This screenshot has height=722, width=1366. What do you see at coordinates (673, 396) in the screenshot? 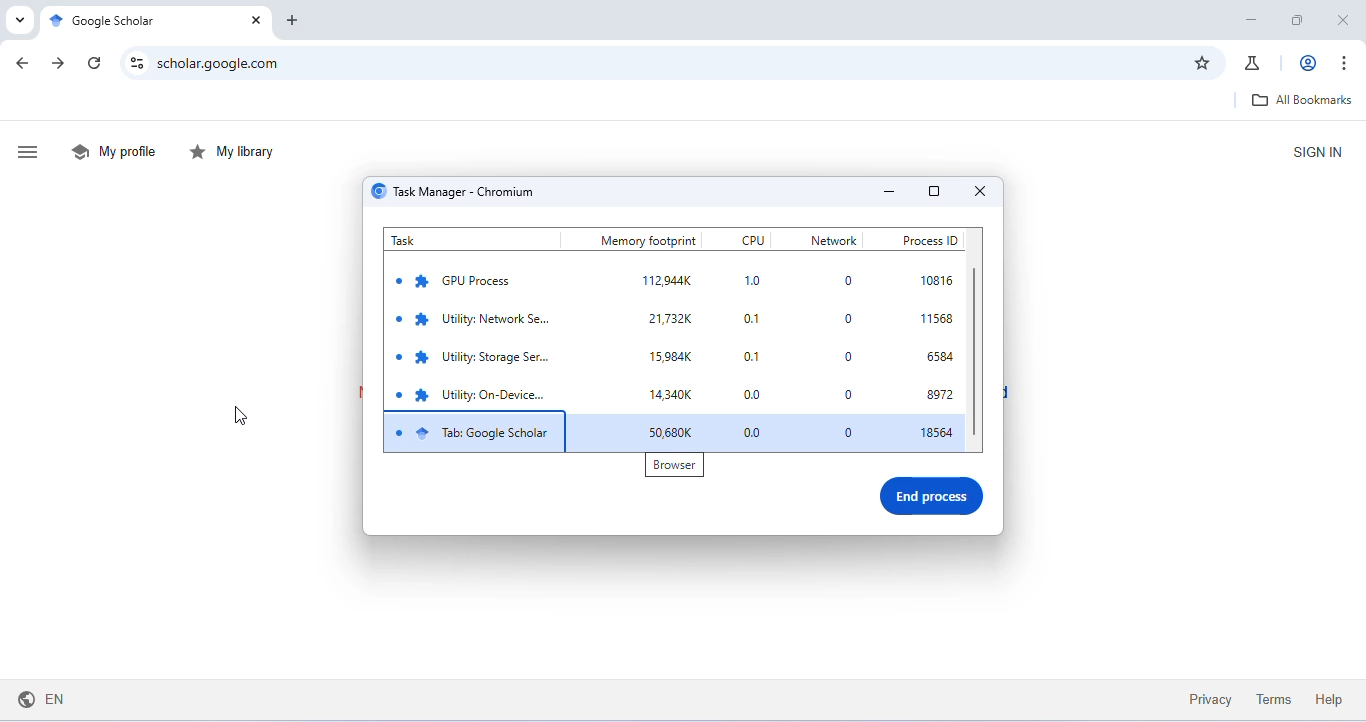
I see `14340k` at bounding box center [673, 396].